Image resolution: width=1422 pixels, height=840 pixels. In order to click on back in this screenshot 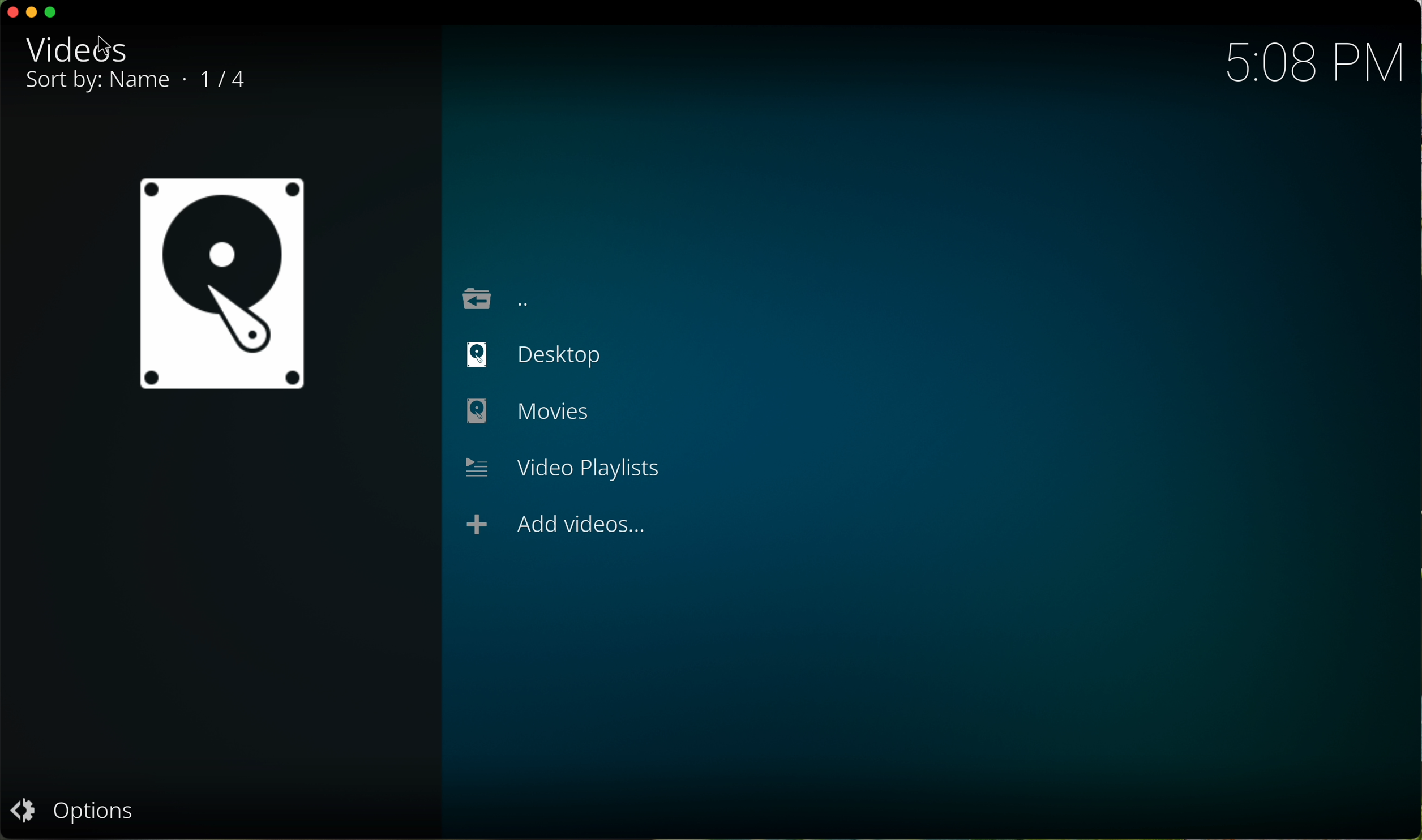, I will do `click(527, 409)`.